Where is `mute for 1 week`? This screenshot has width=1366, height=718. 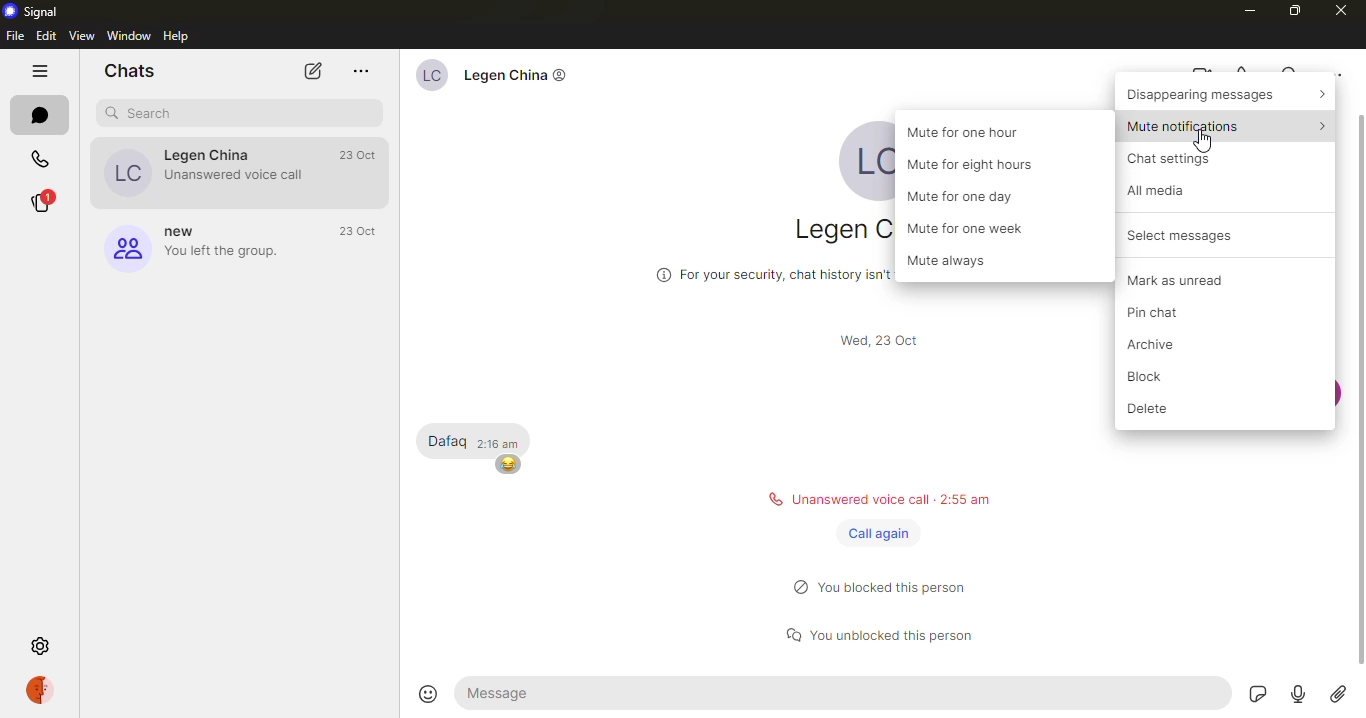 mute for 1 week is located at coordinates (973, 228).